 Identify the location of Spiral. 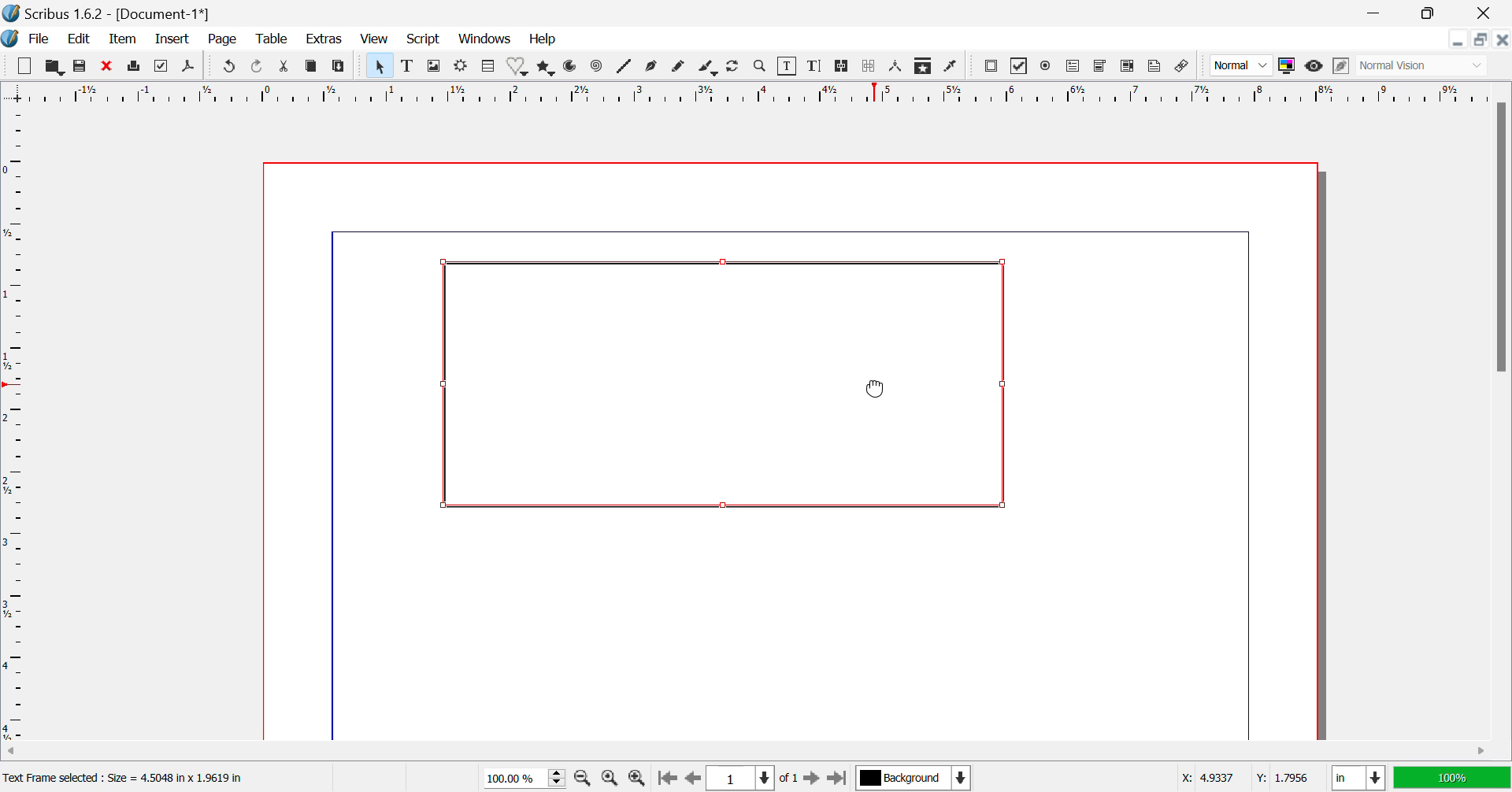
(595, 69).